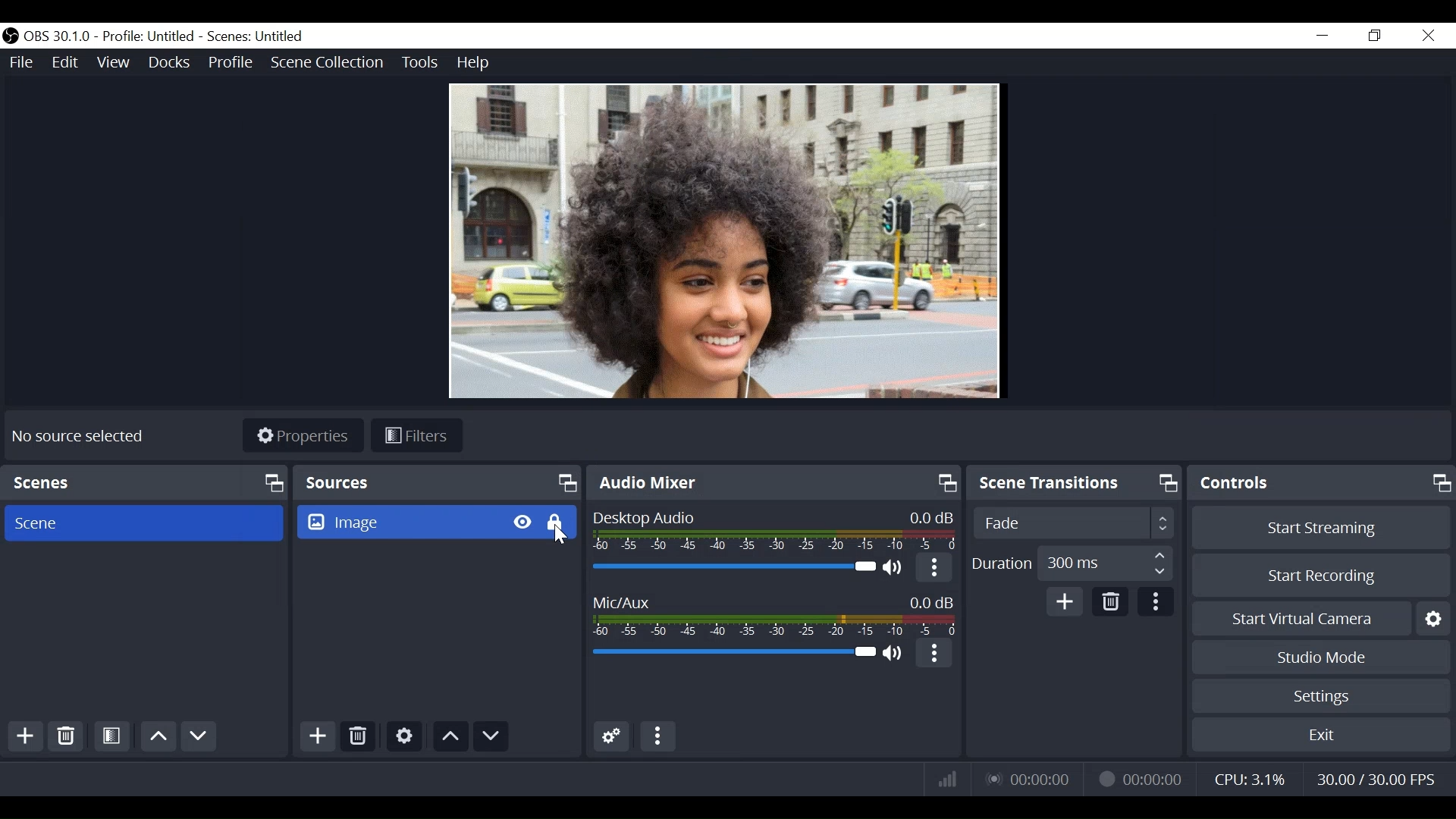 This screenshot has width=1456, height=819. I want to click on Image, so click(399, 523).